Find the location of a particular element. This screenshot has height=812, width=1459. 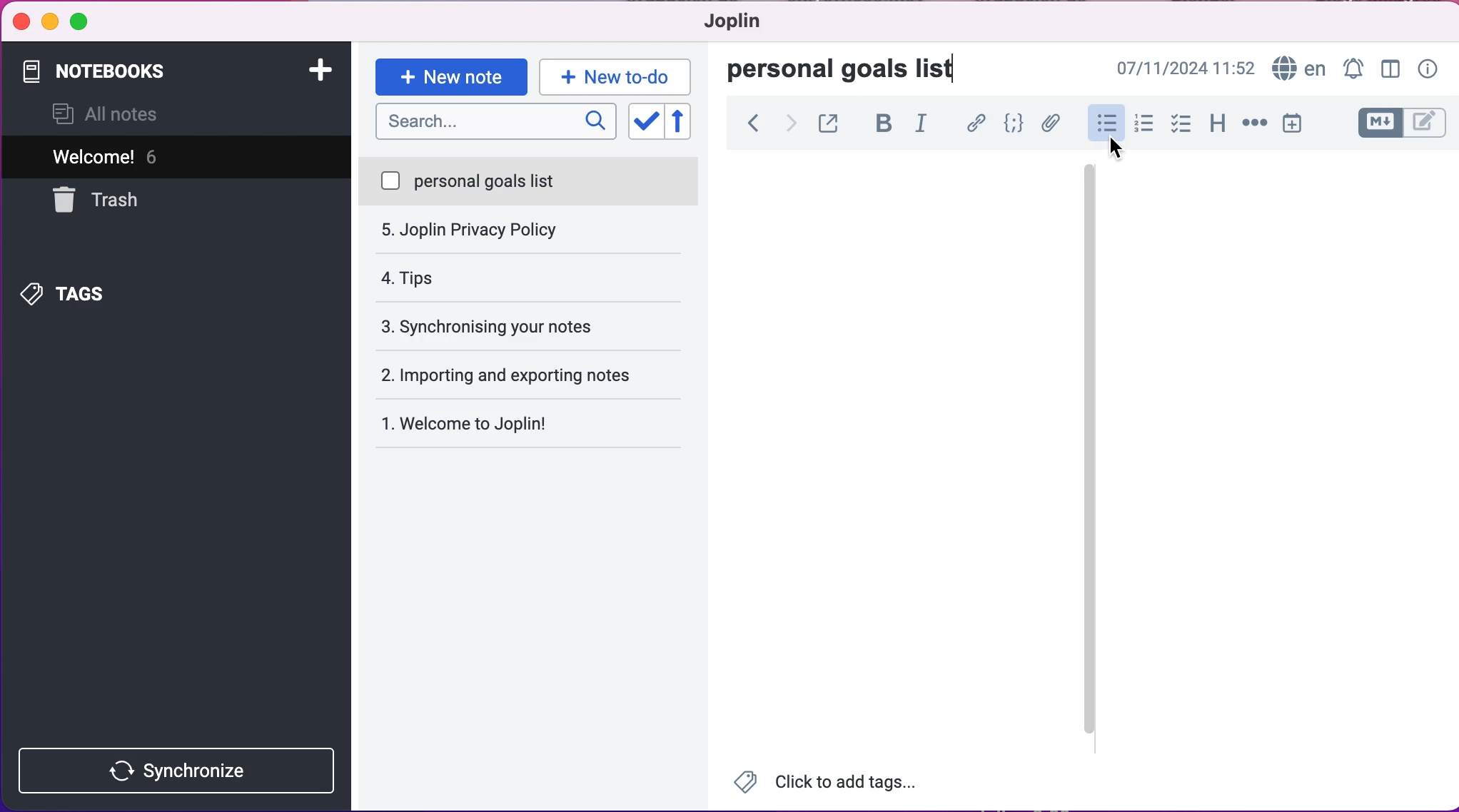

back is located at coordinates (753, 126).